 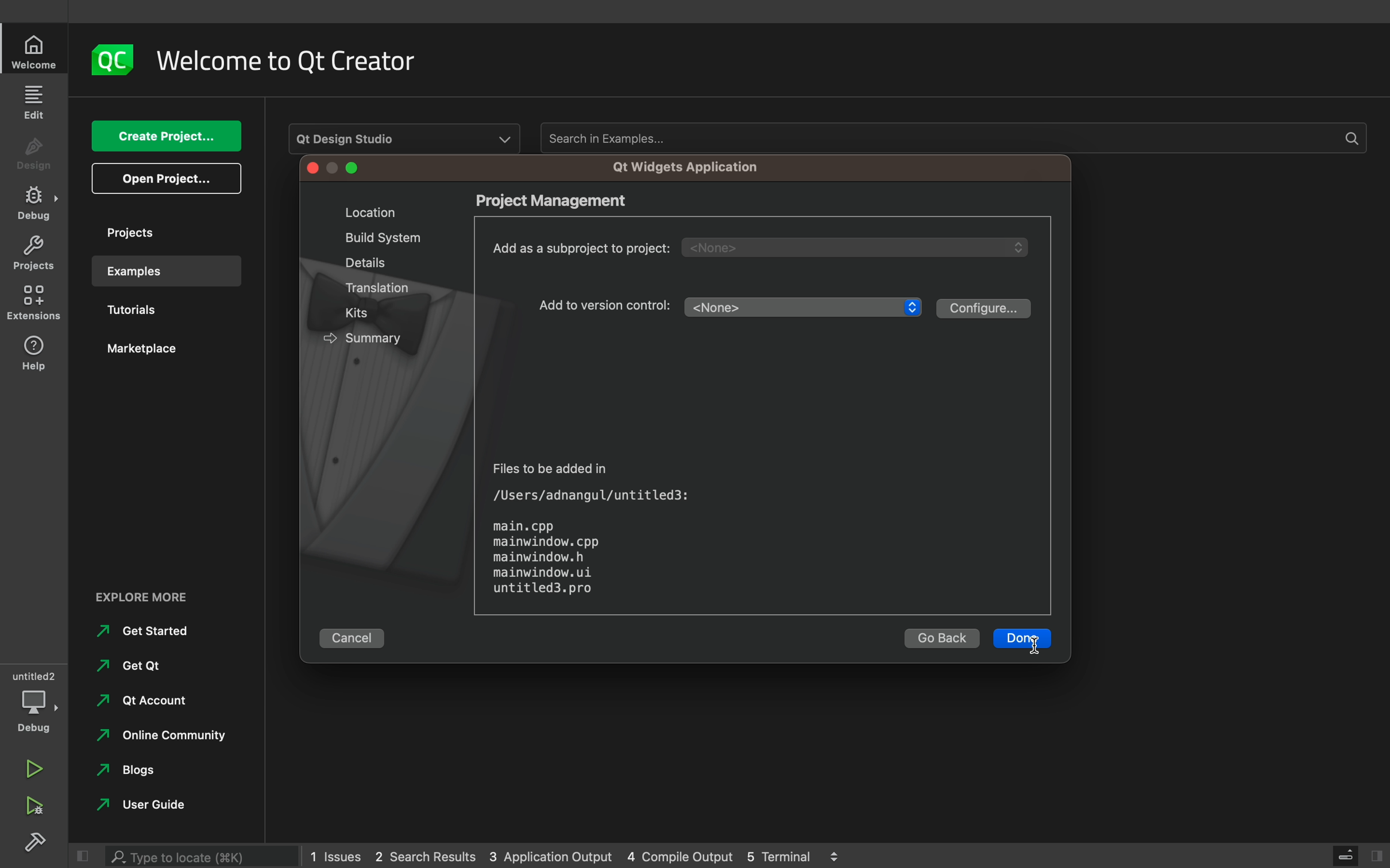 What do you see at coordinates (364, 312) in the screenshot?
I see `kits` at bounding box center [364, 312].